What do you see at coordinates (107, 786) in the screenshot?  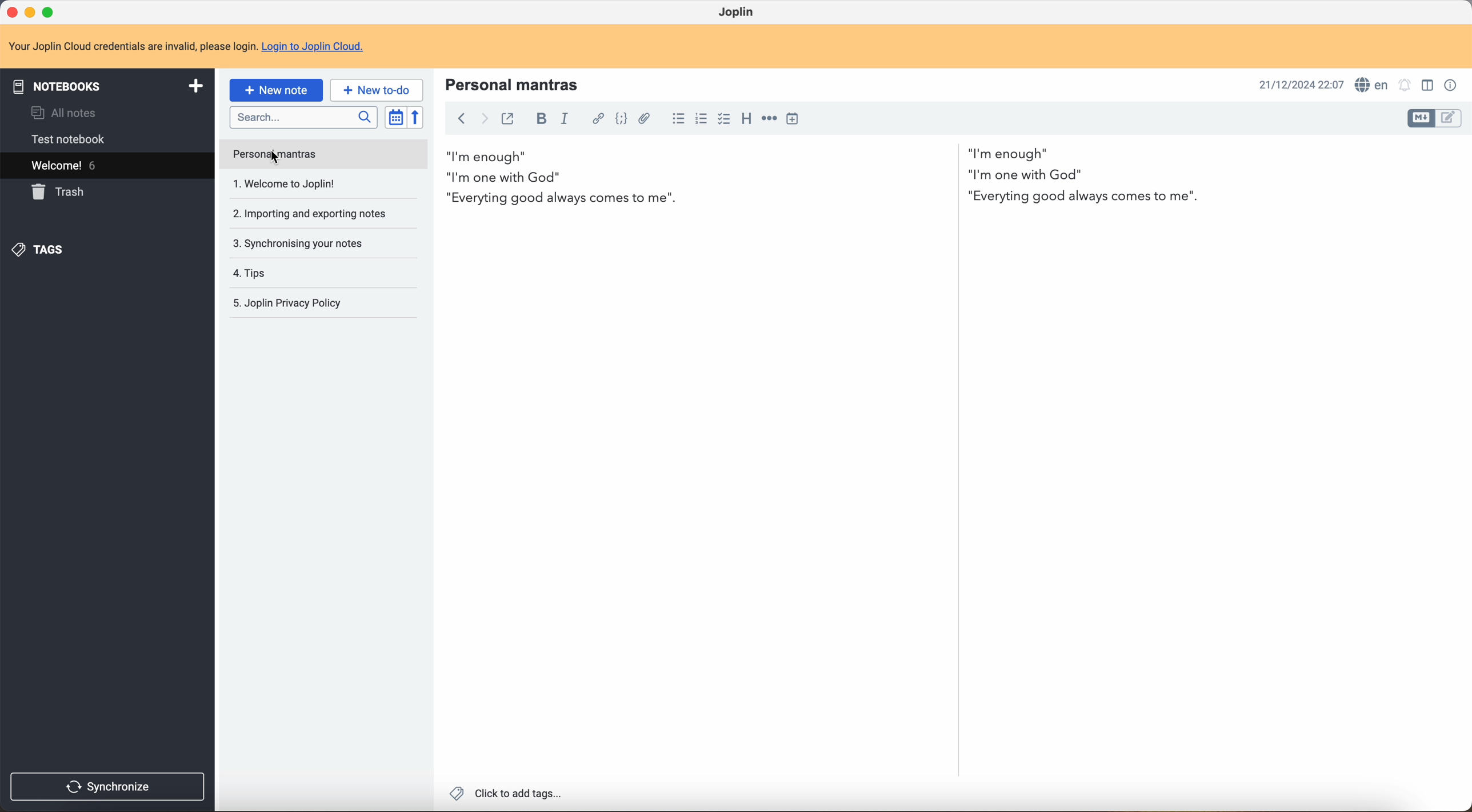 I see `synchronize` at bounding box center [107, 786].